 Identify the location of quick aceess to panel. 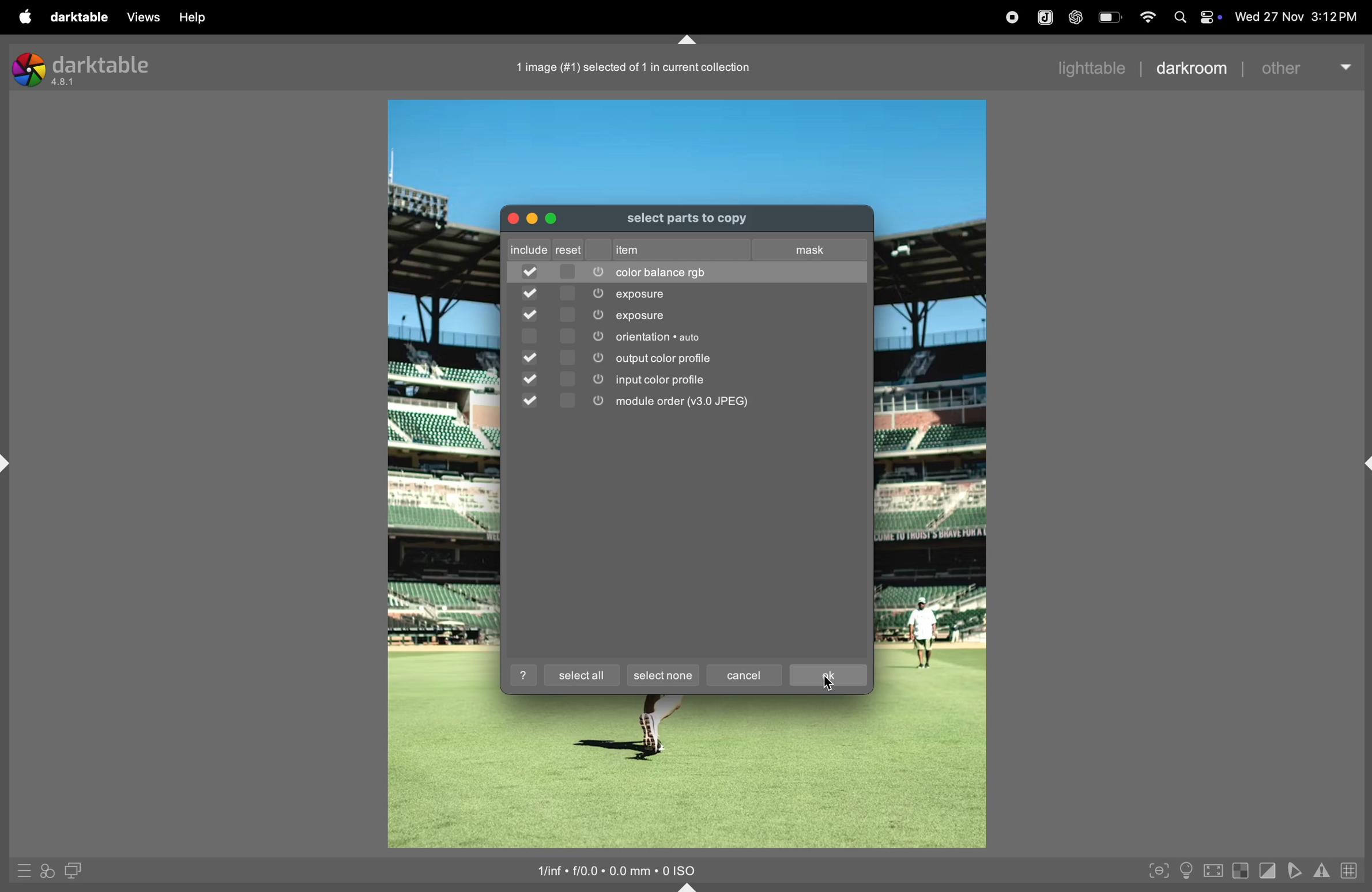
(25, 870).